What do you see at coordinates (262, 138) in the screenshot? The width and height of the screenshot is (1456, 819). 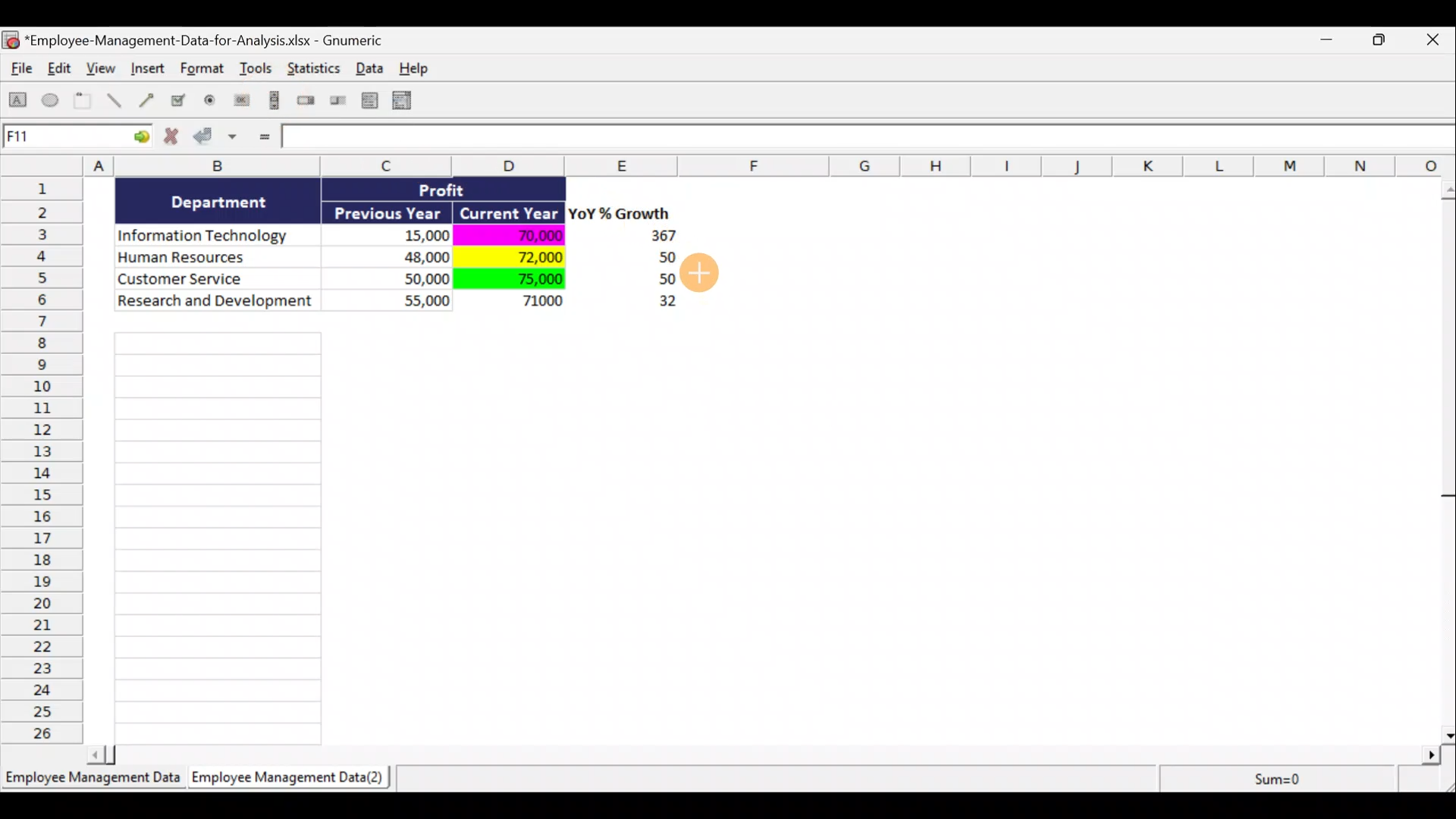 I see `Enter formula` at bounding box center [262, 138].